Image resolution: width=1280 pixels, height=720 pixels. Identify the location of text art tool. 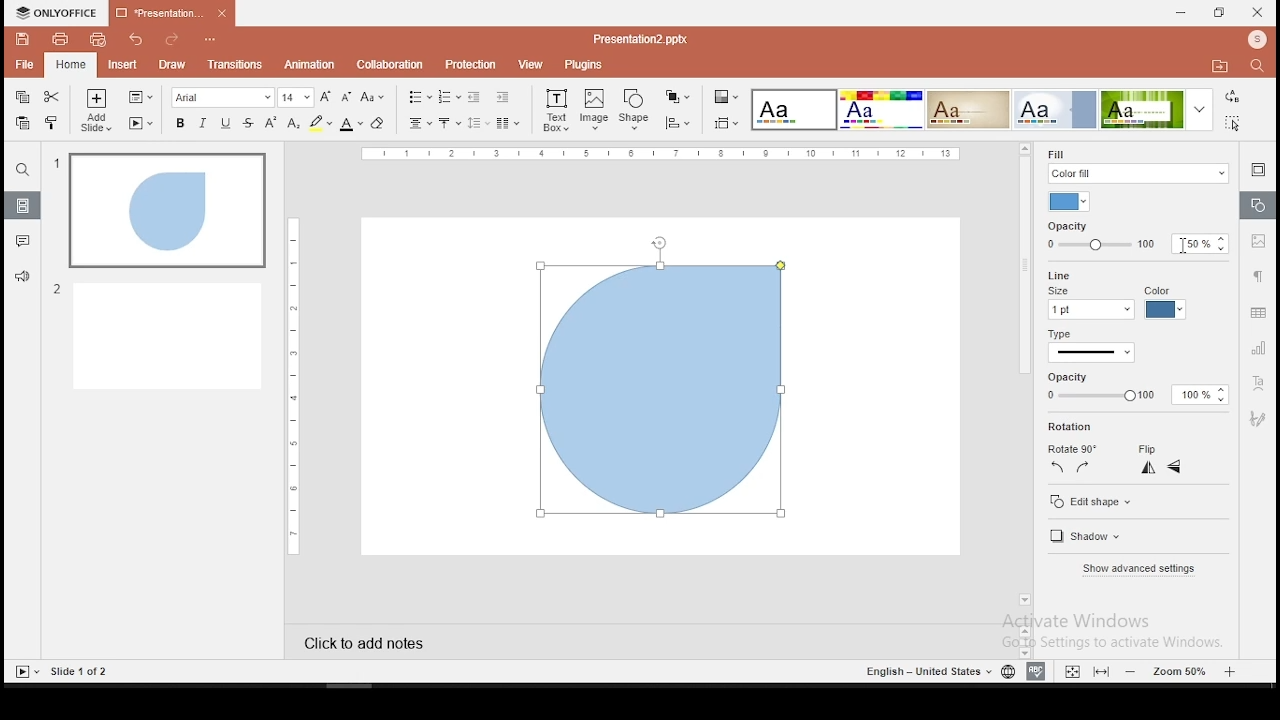
(1260, 382).